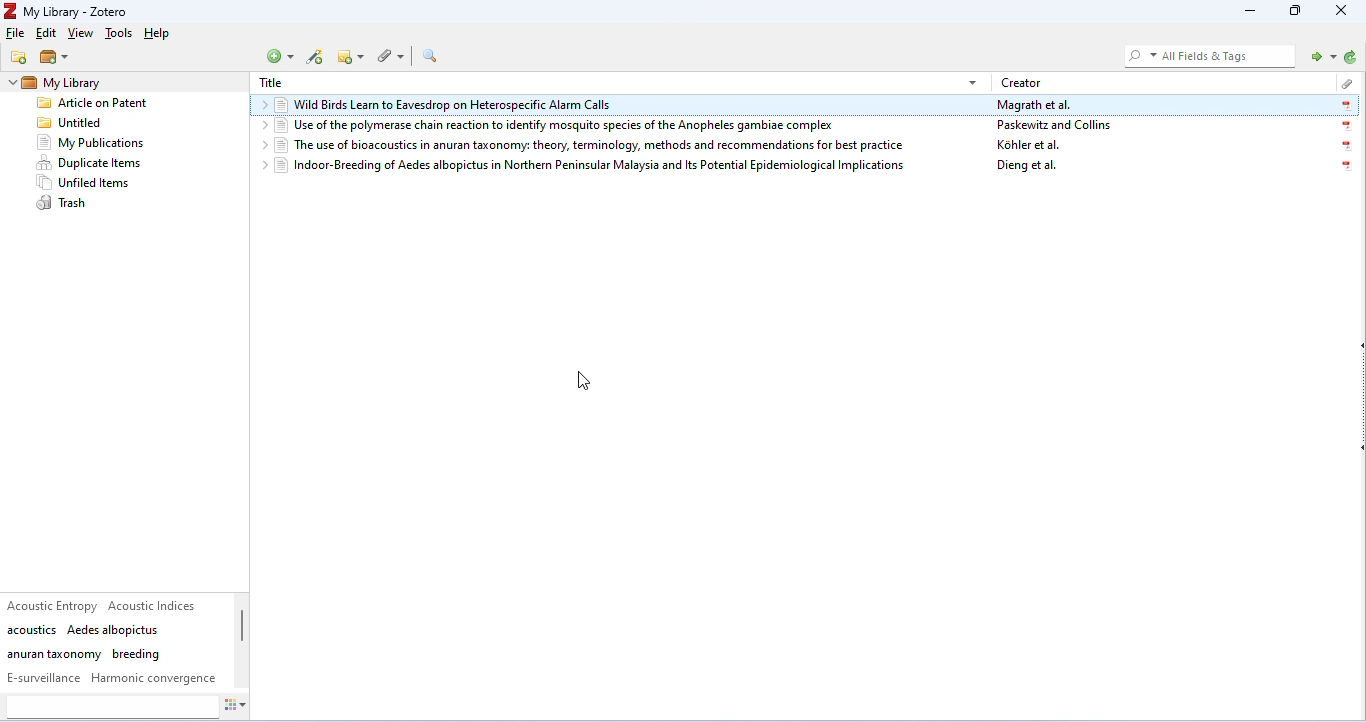  What do you see at coordinates (1036, 104) in the screenshot?
I see `magrath et al.` at bounding box center [1036, 104].